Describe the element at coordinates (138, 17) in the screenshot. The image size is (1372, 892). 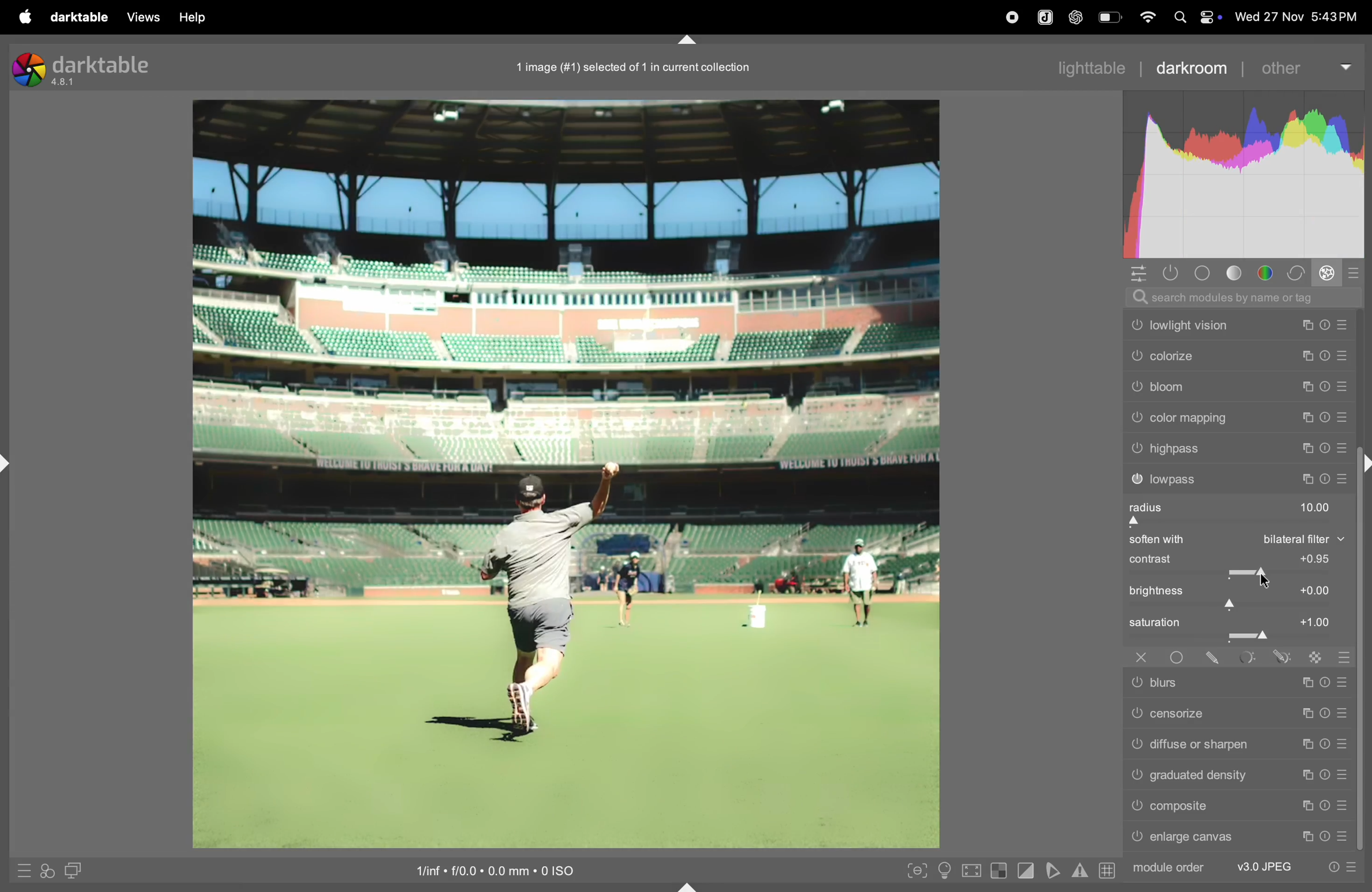
I see `views` at that location.